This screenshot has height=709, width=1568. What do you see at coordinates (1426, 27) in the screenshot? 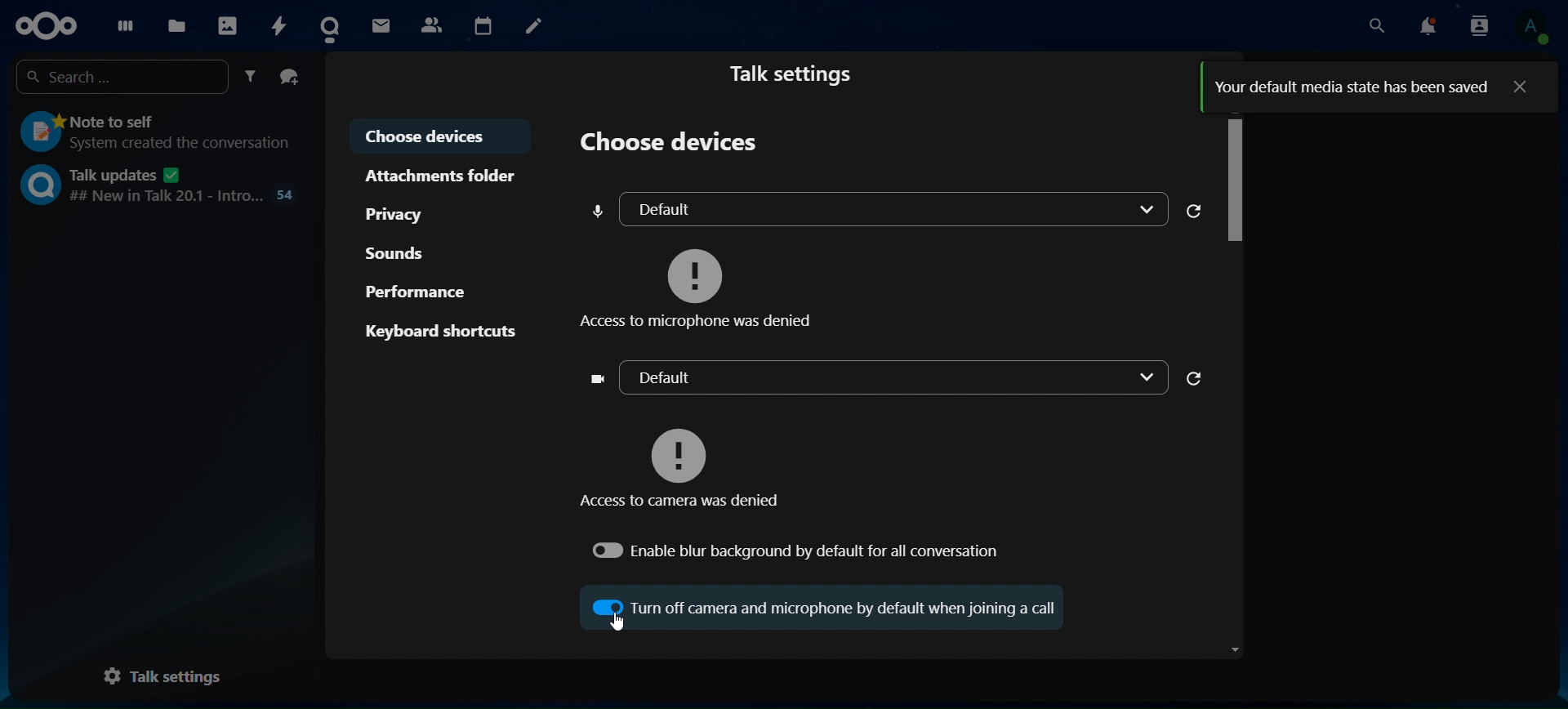
I see `notifications` at bounding box center [1426, 27].